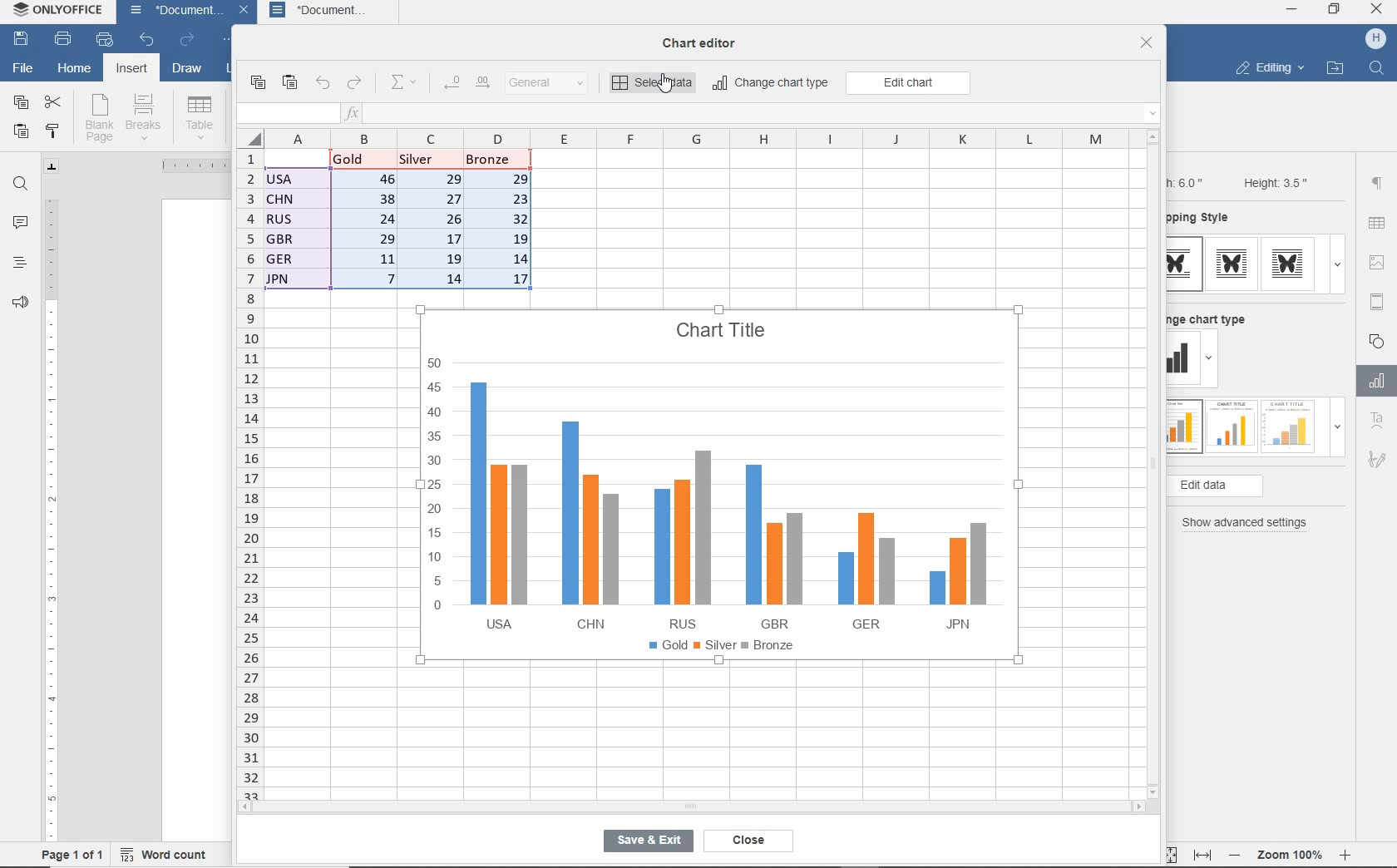  I want to click on blank page, so click(99, 118).